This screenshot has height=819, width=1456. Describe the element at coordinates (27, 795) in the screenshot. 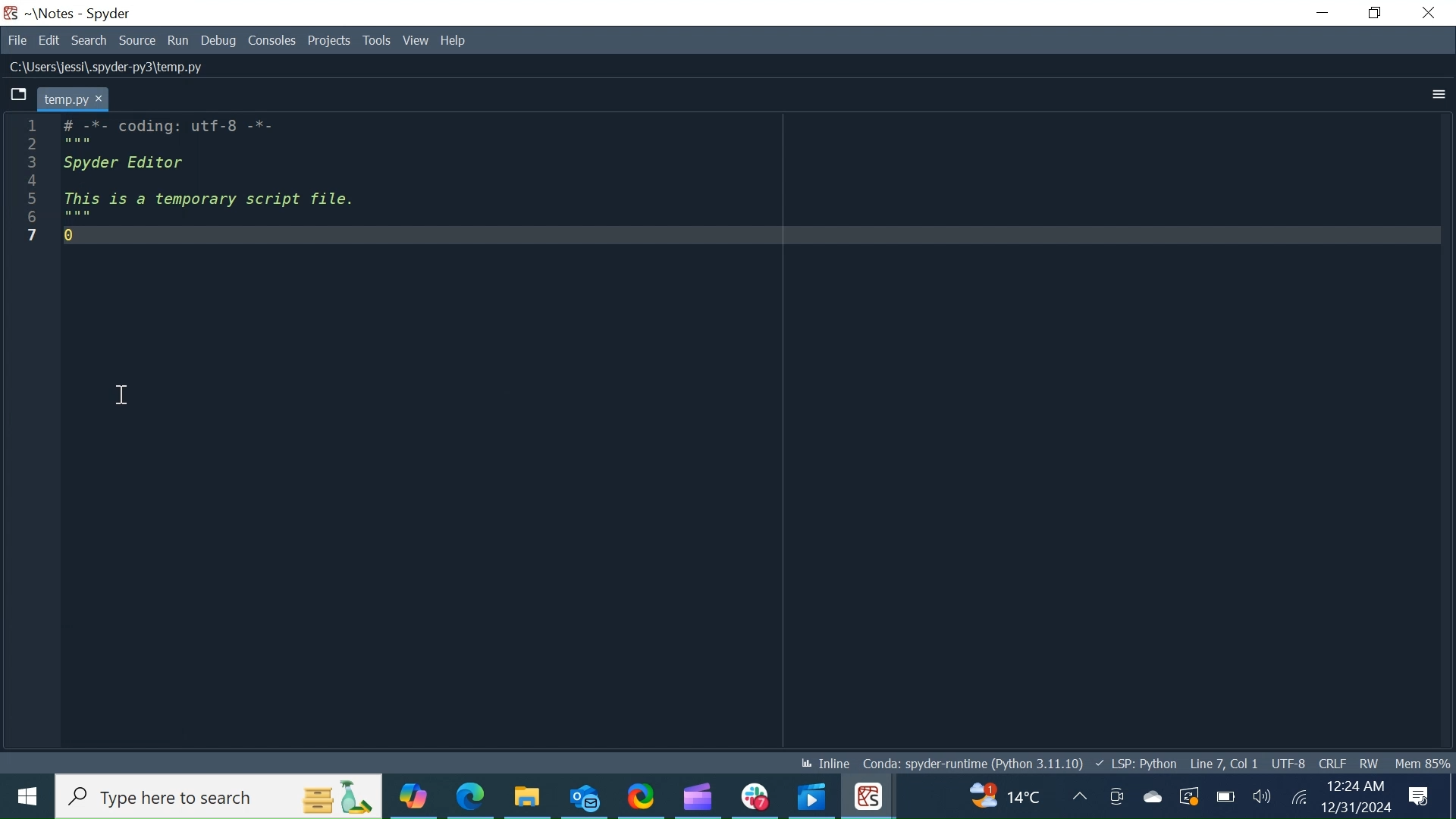

I see `Windows` at that location.